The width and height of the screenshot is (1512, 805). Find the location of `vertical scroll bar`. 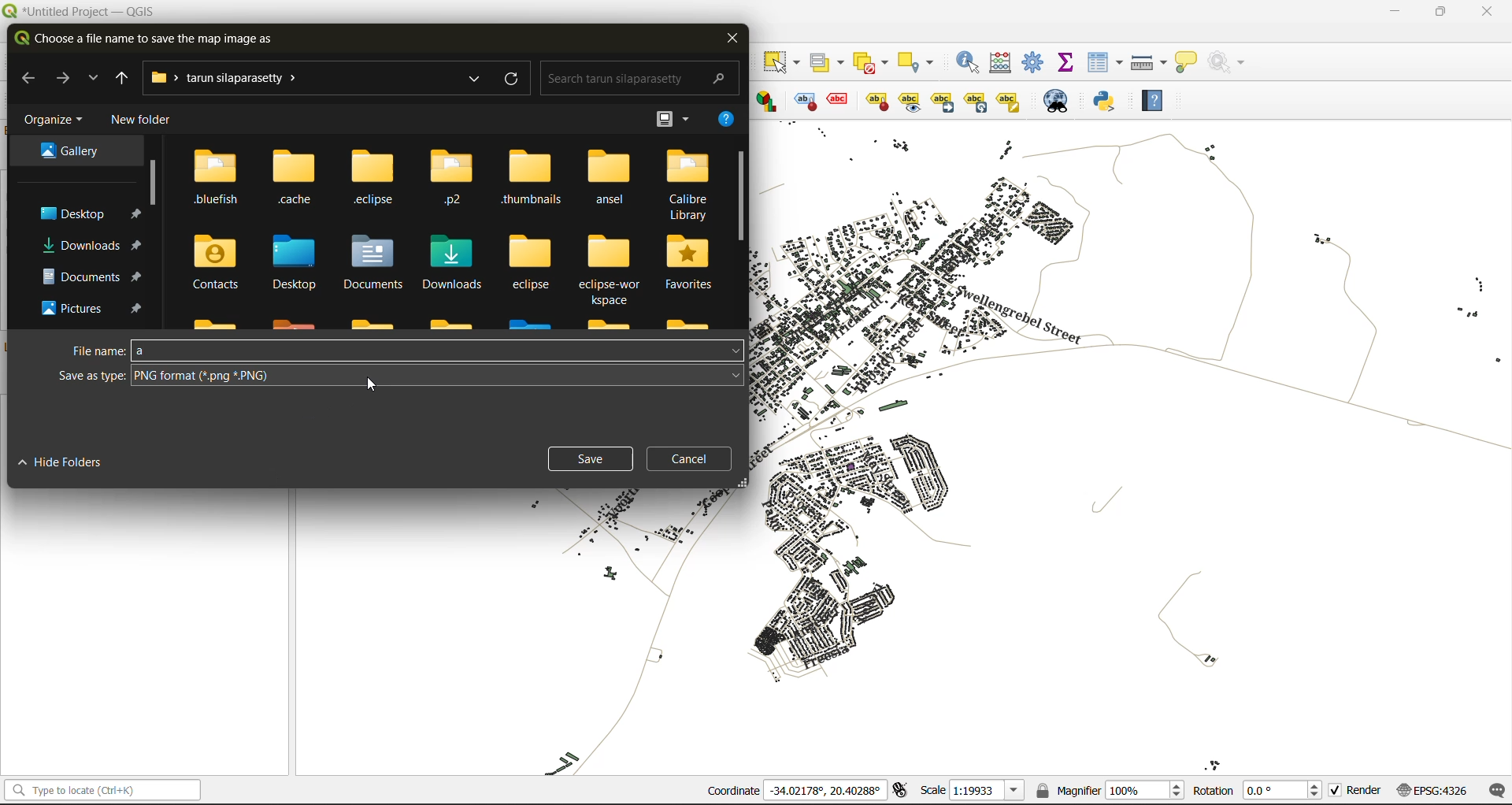

vertical scroll bar is located at coordinates (740, 198).